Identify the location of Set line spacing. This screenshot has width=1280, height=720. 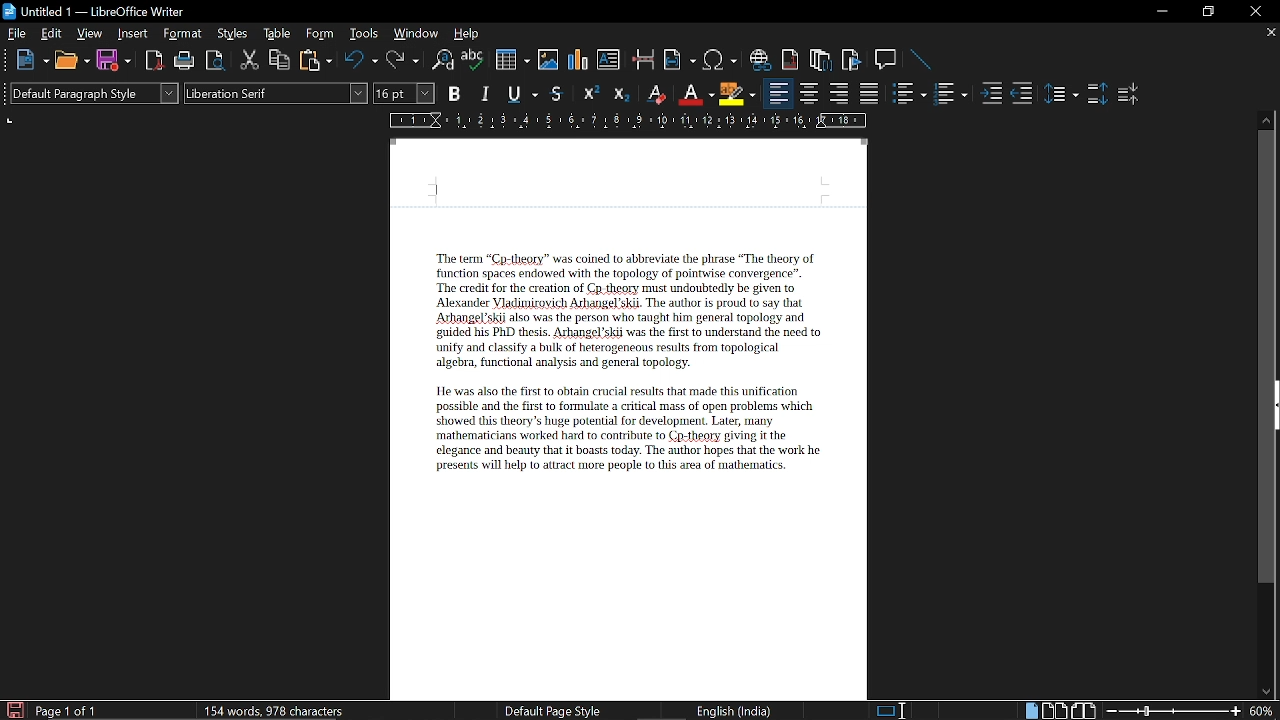
(1060, 94).